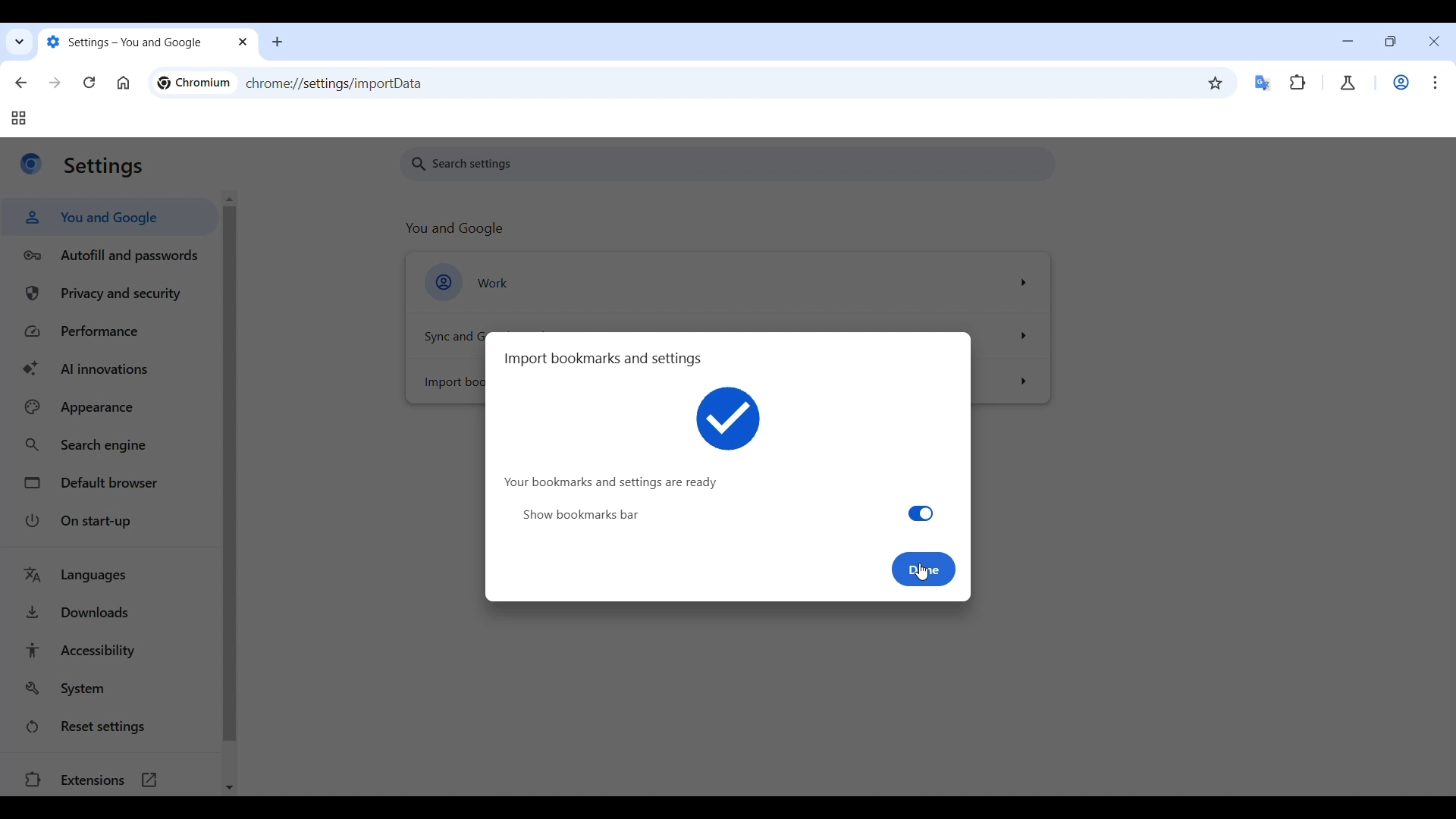 The image size is (1456, 819). I want to click on Customize and control Chromium highlighted, so click(1436, 83).